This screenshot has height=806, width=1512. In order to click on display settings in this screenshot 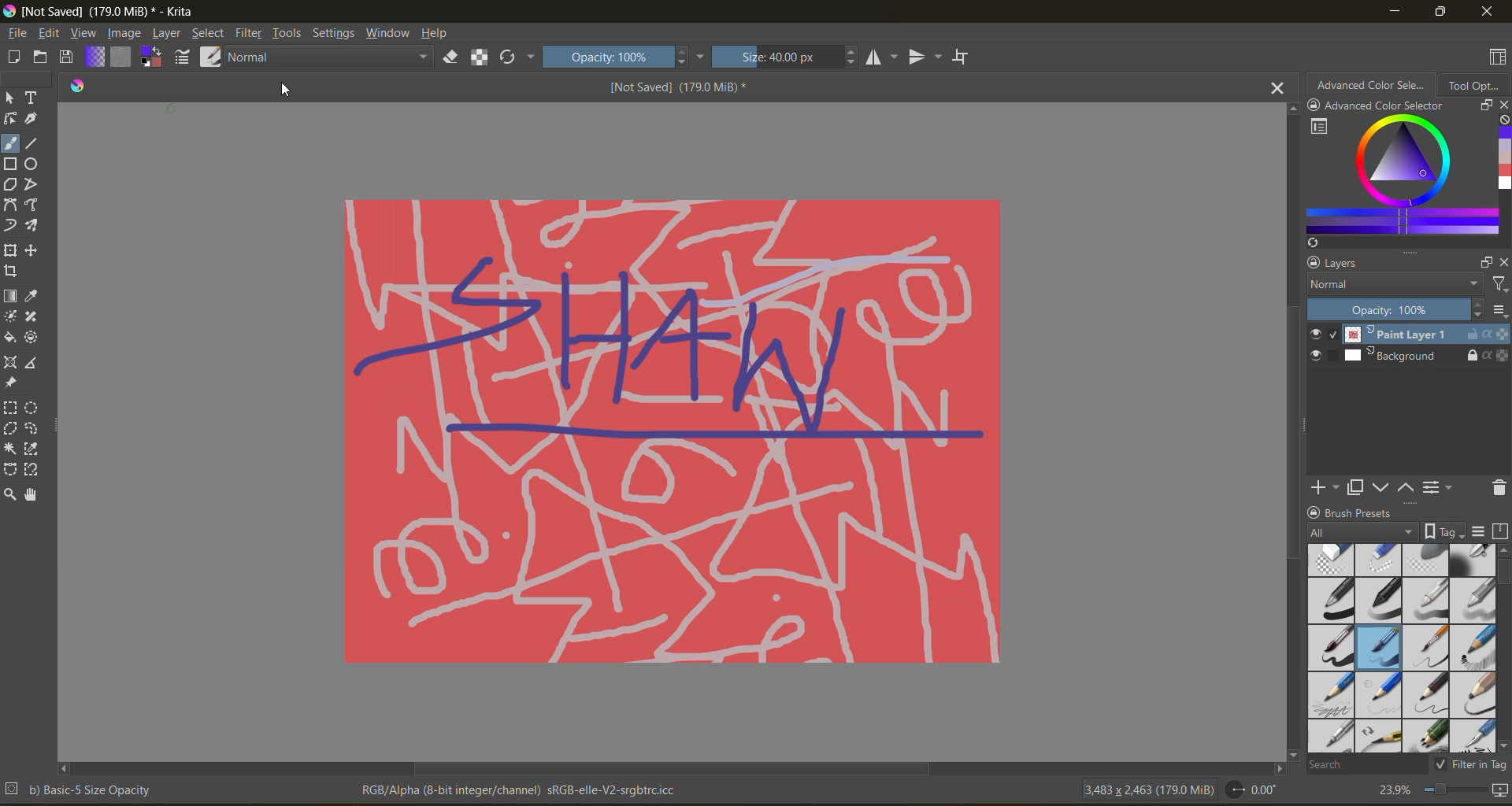, I will do `click(1481, 530)`.